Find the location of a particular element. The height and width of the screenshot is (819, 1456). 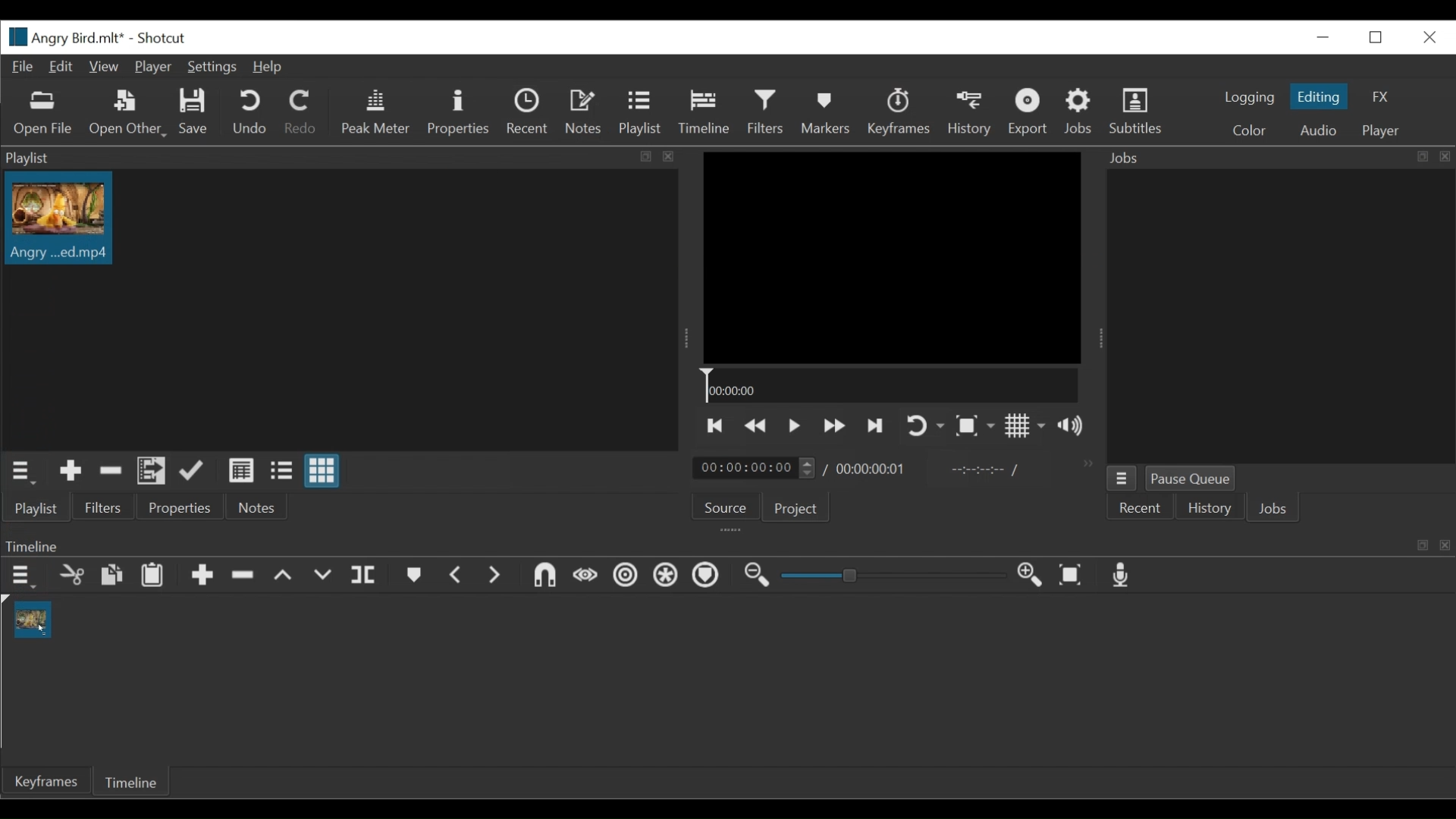

Export is located at coordinates (1028, 111).